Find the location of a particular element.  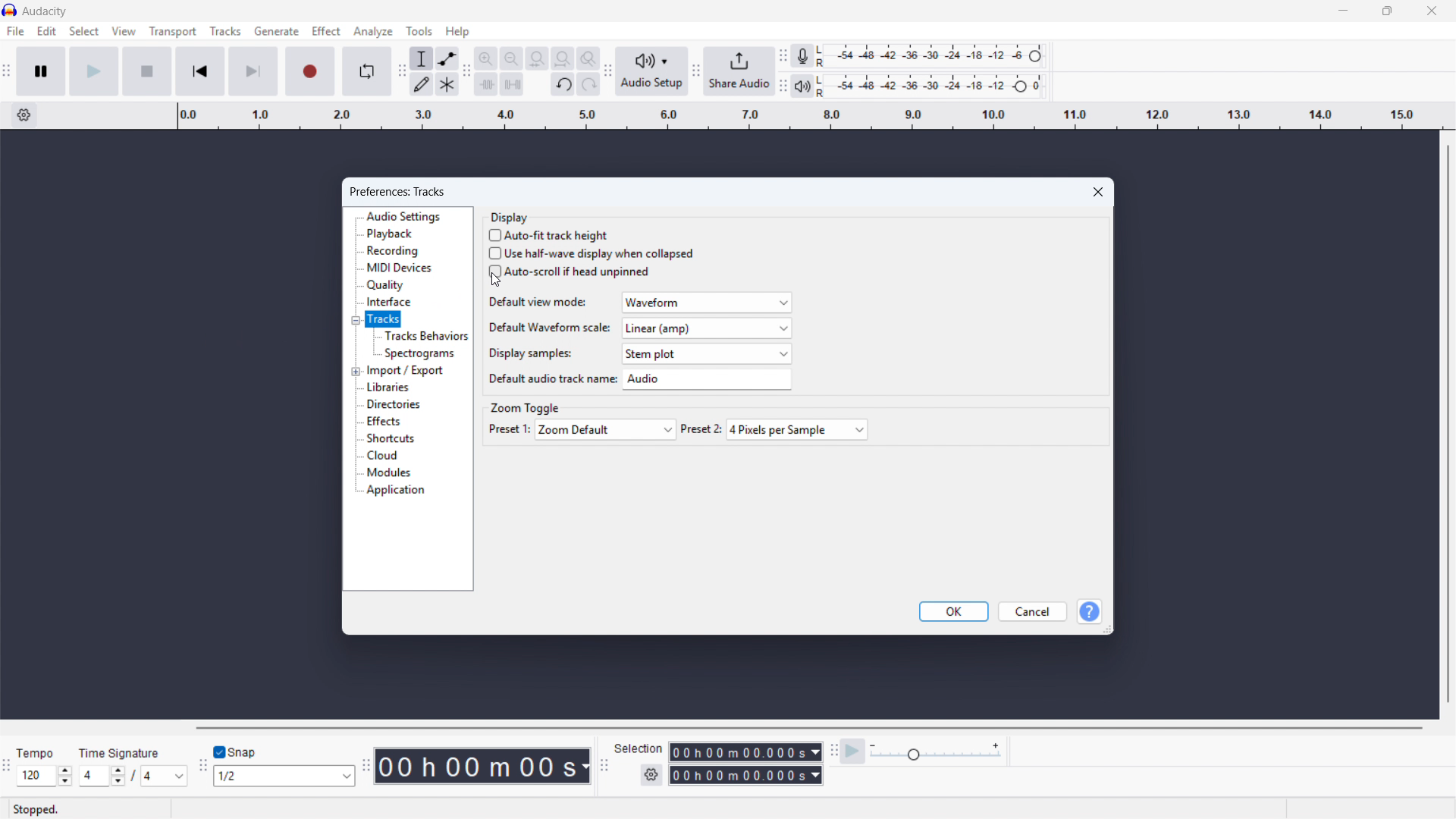

zoom in is located at coordinates (486, 58).